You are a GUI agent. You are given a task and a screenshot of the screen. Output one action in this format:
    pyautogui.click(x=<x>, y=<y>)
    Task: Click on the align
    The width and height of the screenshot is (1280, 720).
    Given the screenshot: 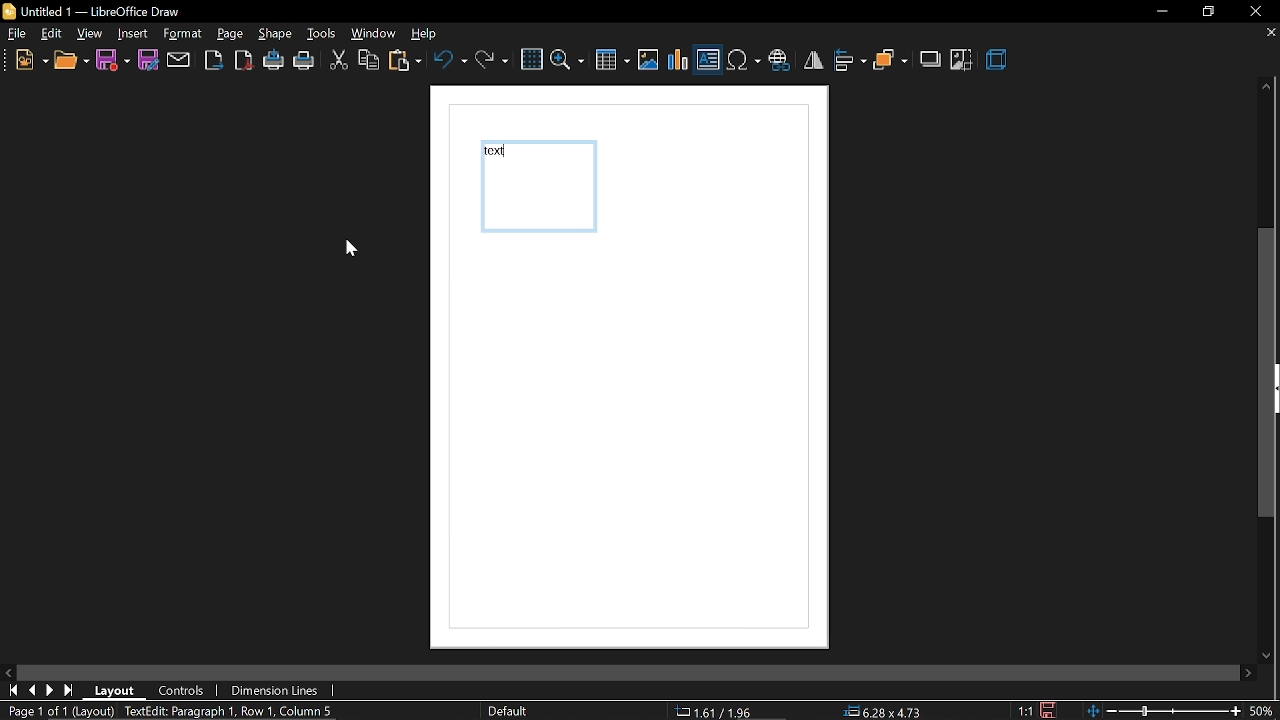 What is the action you would take?
    pyautogui.click(x=850, y=60)
    